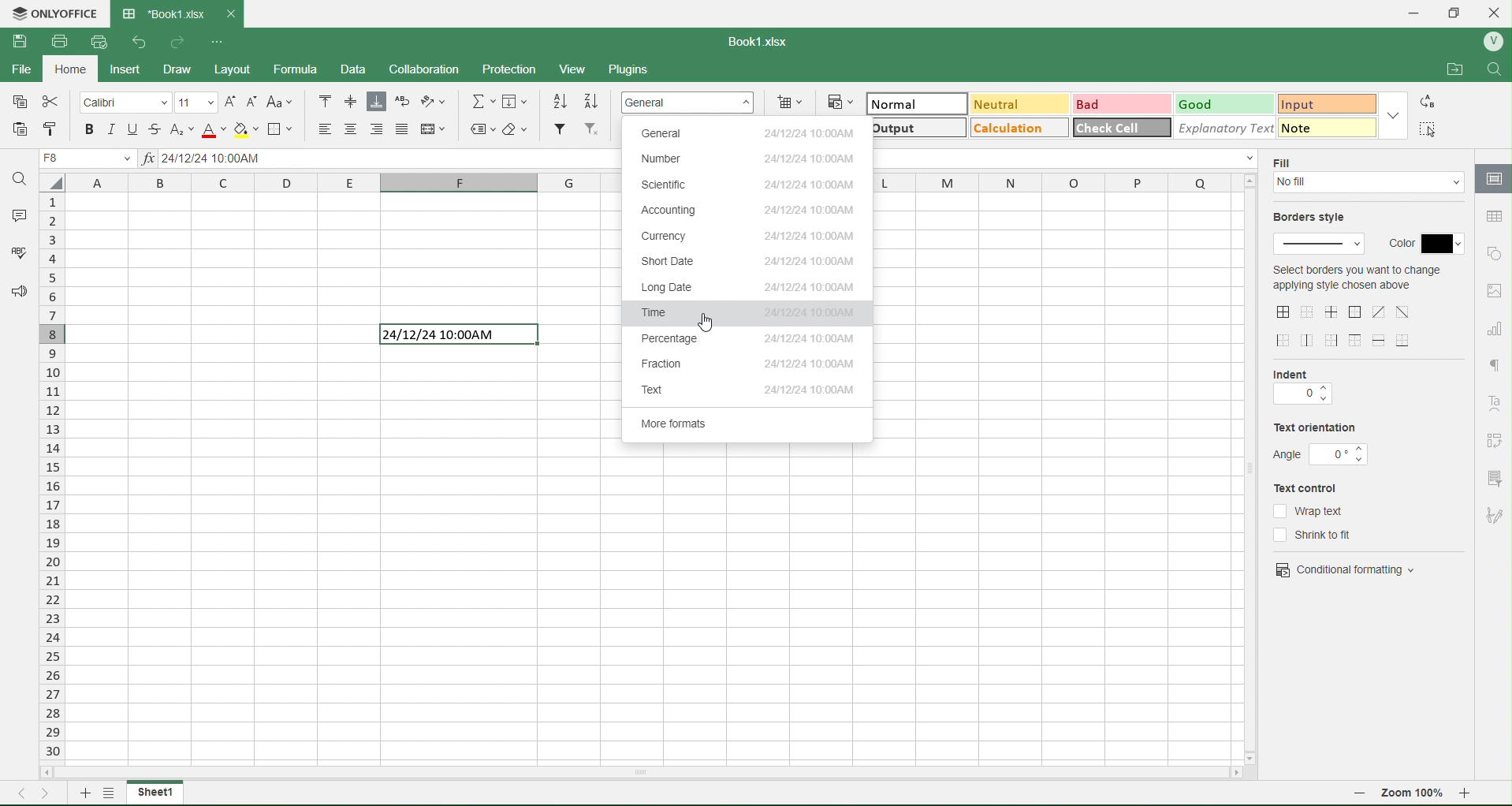 Image resolution: width=1512 pixels, height=806 pixels. What do you see at coordinates (20, 178) in the screenshot?
I see `Find` at bounding box center [20, 178].